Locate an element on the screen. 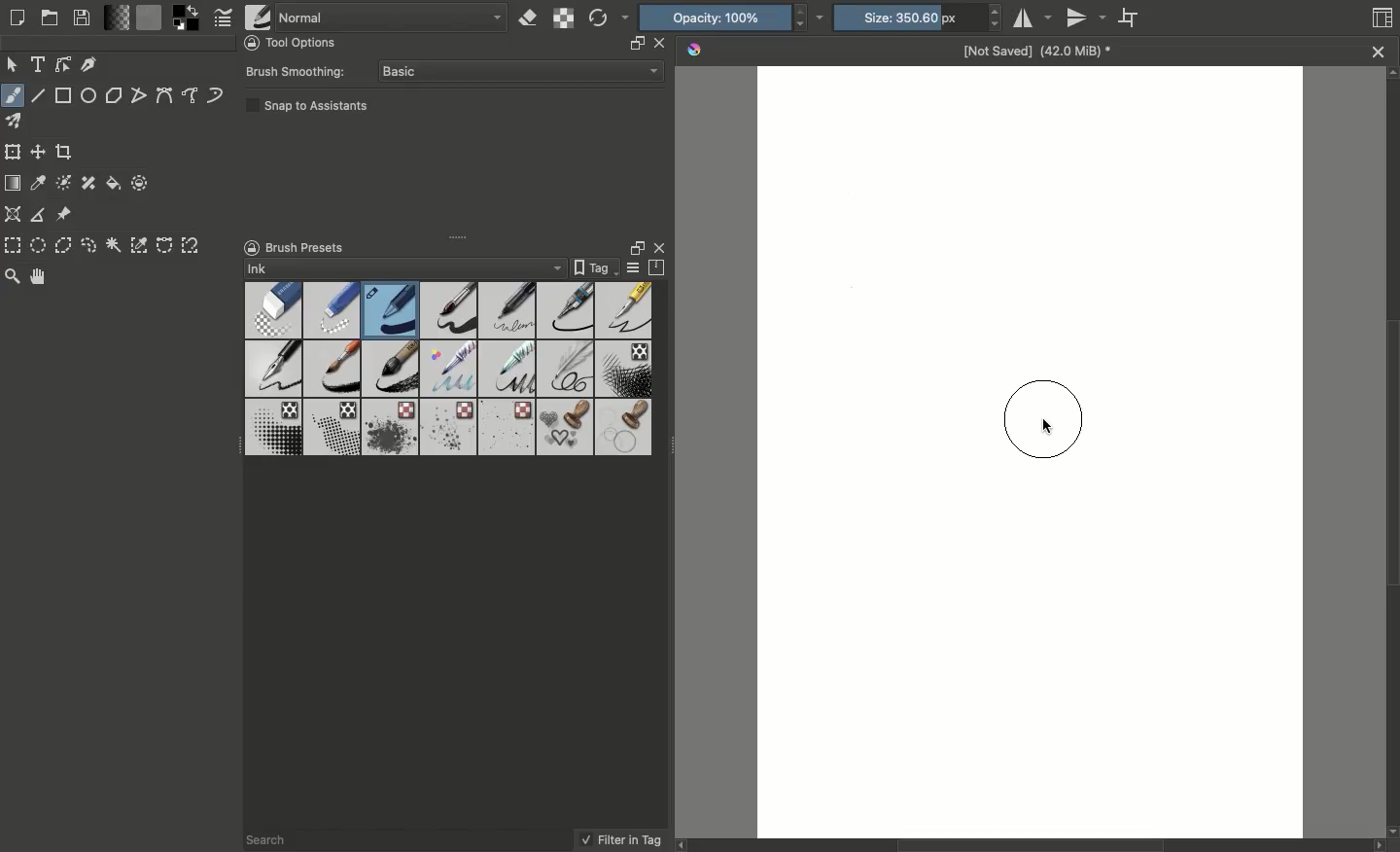  Ellipse is located at coordinates (88, 94).